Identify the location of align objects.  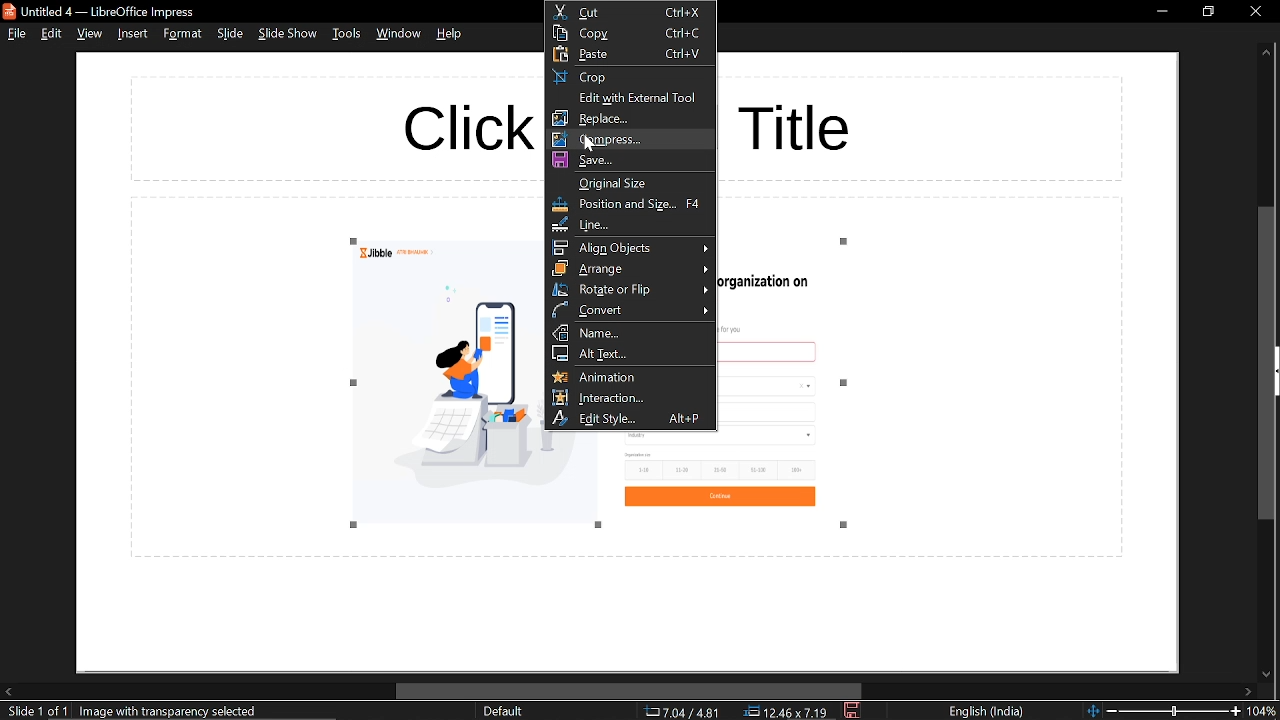
(630, 247).